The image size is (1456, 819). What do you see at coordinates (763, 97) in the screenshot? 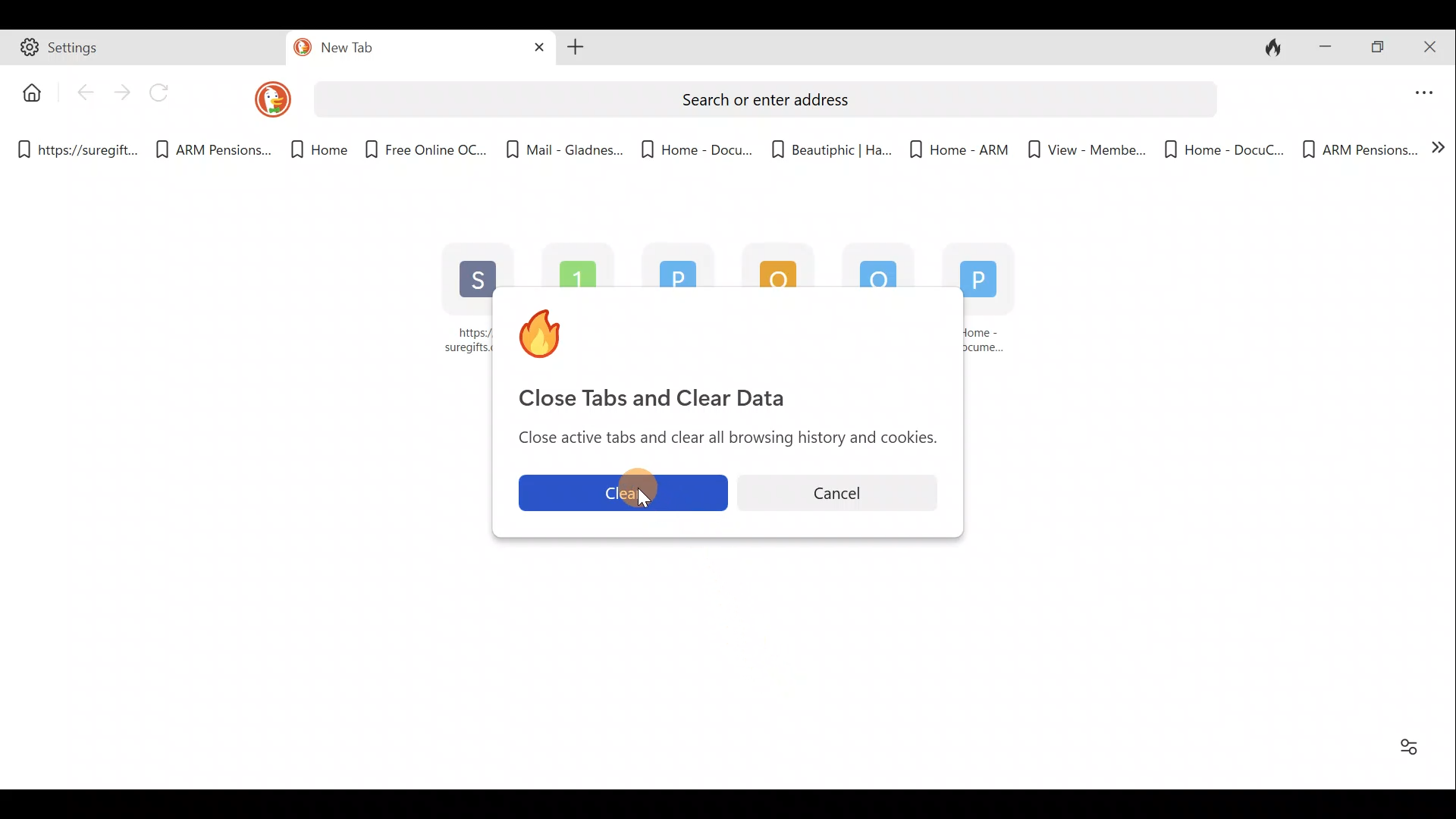
I see `Search or enter address` at bounding box center [763, 97].